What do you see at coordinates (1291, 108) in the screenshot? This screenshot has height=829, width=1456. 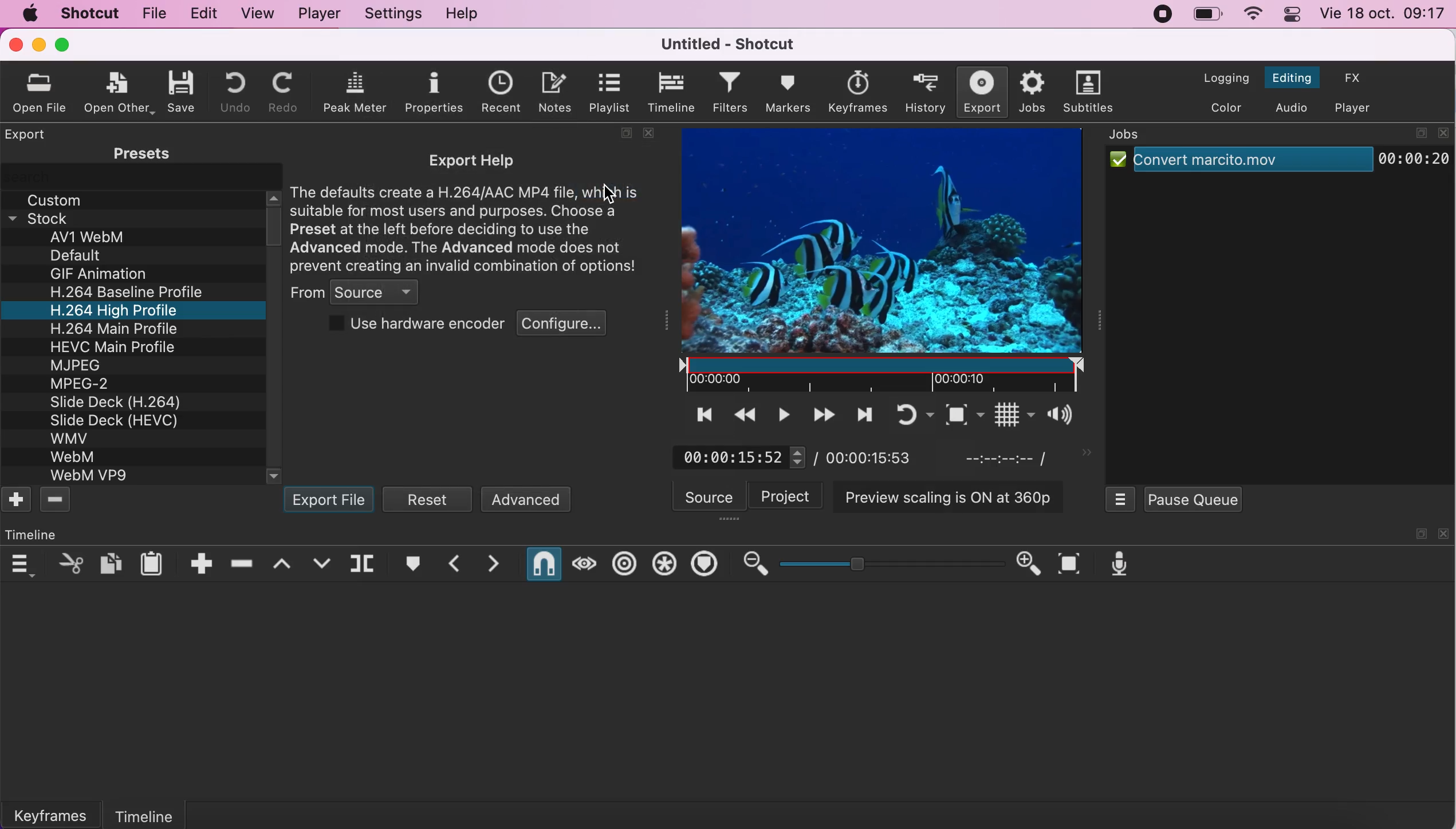 I see `switch to the audio layout` at bounding box center [1291, 108].